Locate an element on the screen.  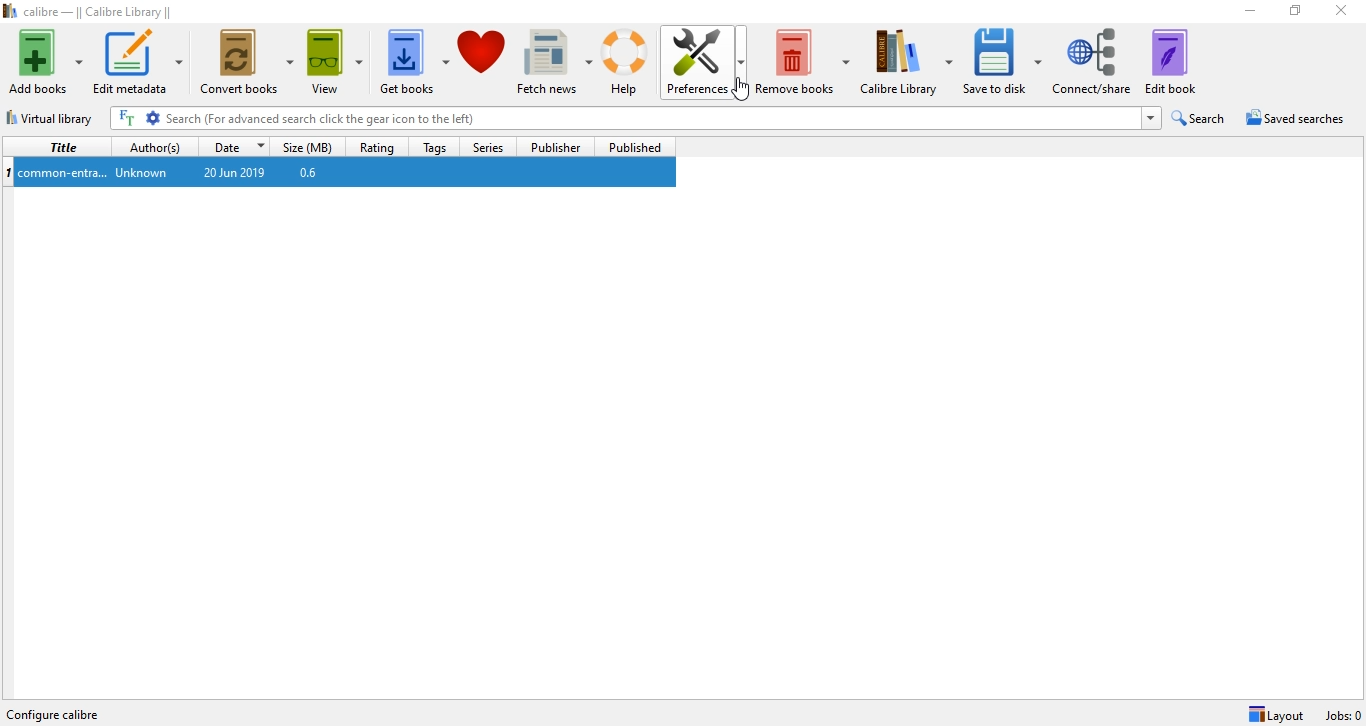
Tags is located at coordinates (434, 146).